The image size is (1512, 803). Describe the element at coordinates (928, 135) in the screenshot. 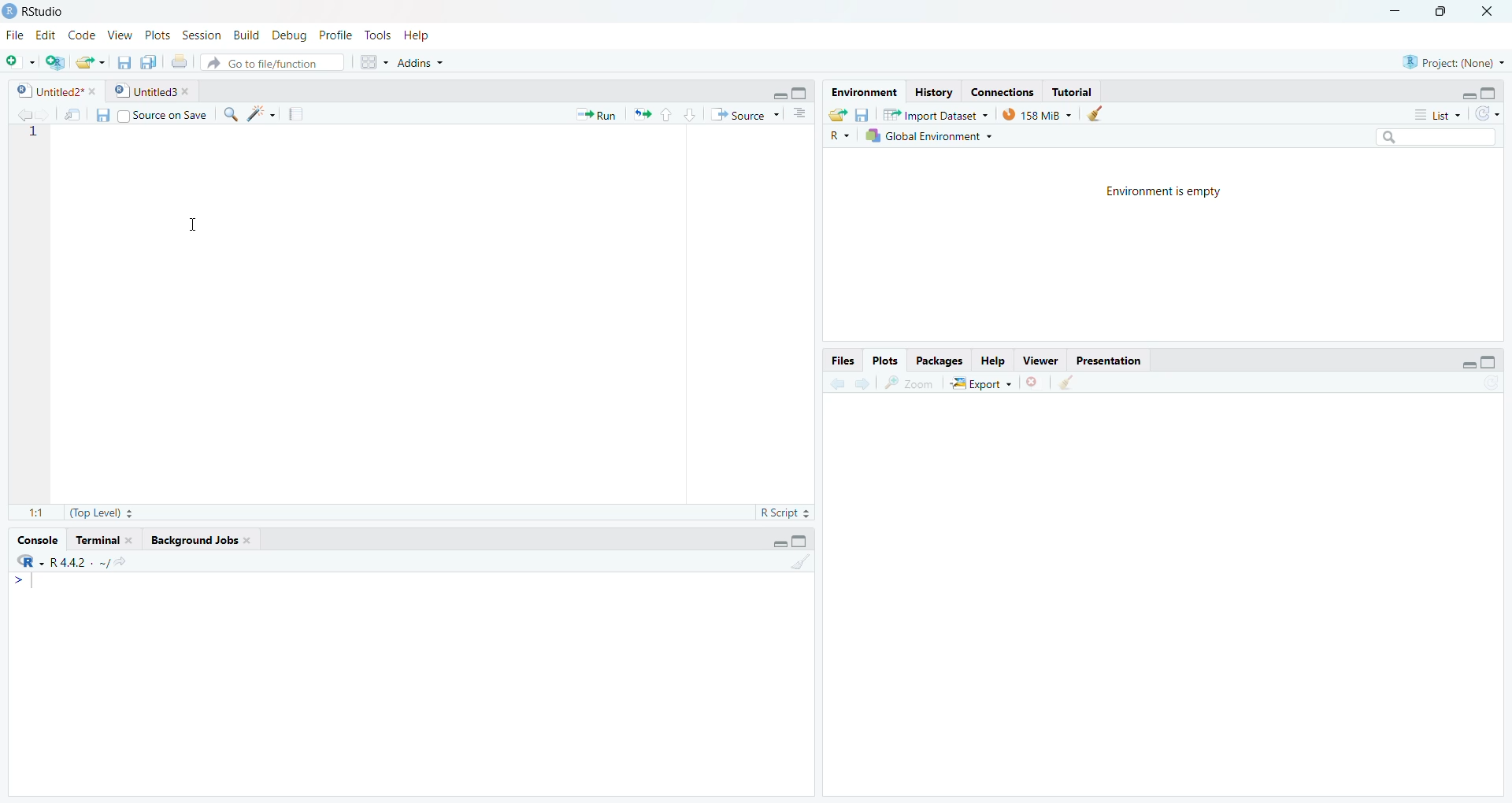

I see `Global Environment` at that location.